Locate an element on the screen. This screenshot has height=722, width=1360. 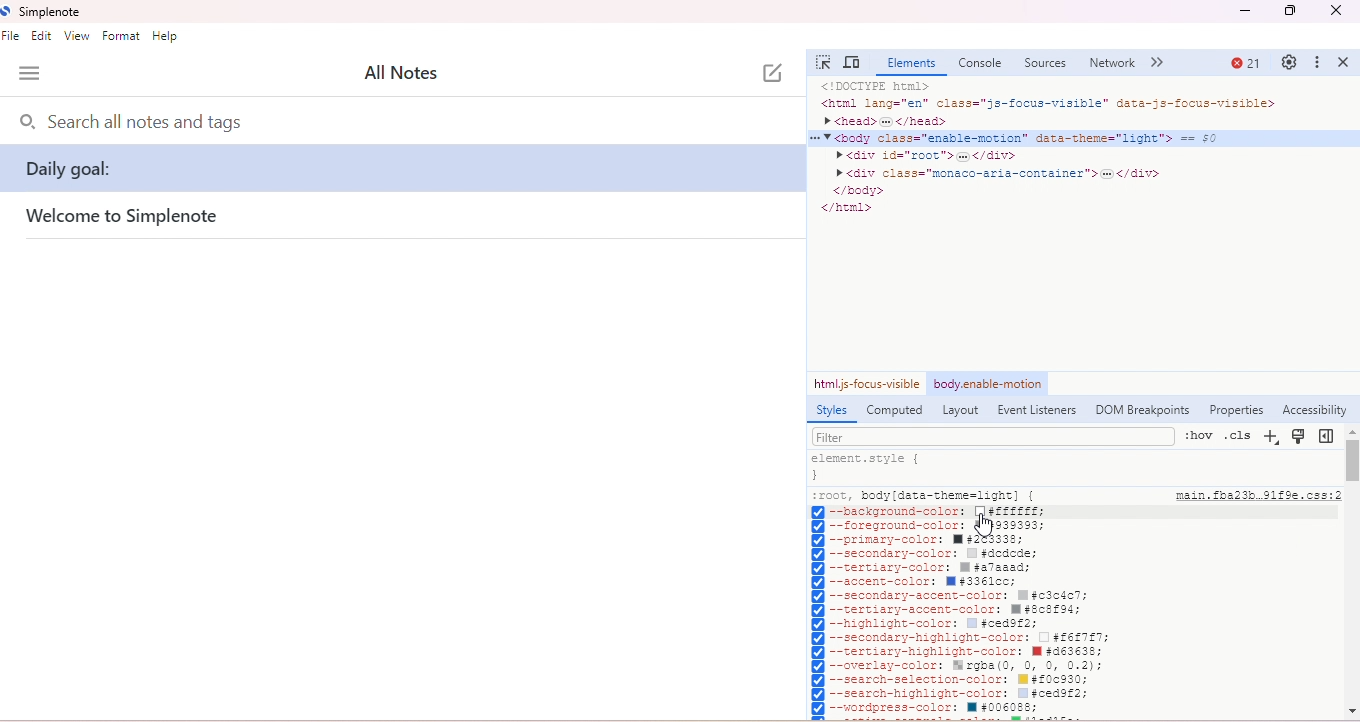
:root, body [data-theme=light]  { is located at coordinates (927, 495).